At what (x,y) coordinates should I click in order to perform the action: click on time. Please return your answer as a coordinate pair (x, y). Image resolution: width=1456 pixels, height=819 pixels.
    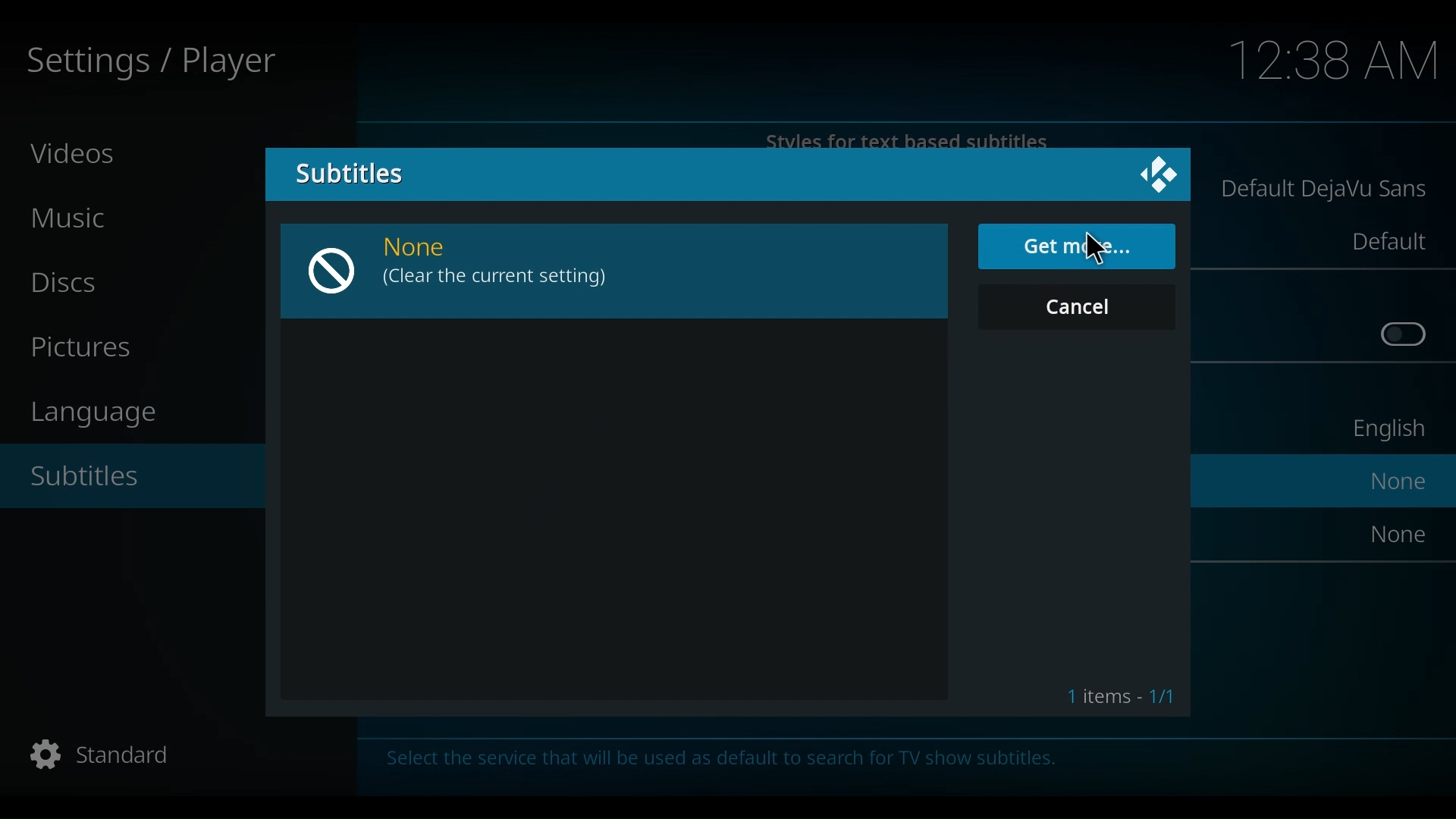
    Looking at the image, I should click on (1335, 62).